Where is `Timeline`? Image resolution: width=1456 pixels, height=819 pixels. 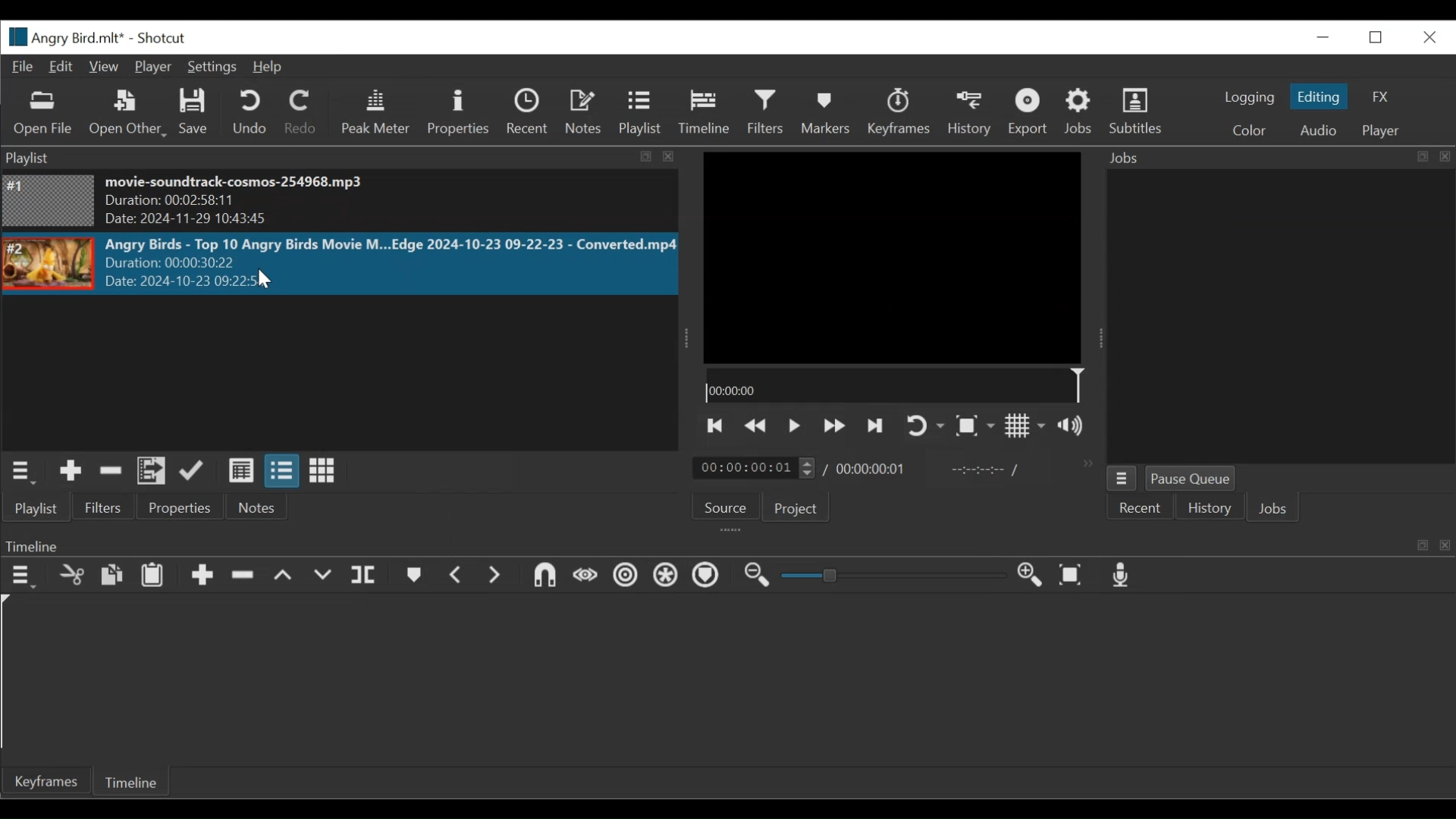
Timeline is located at coordinates (703, 112).